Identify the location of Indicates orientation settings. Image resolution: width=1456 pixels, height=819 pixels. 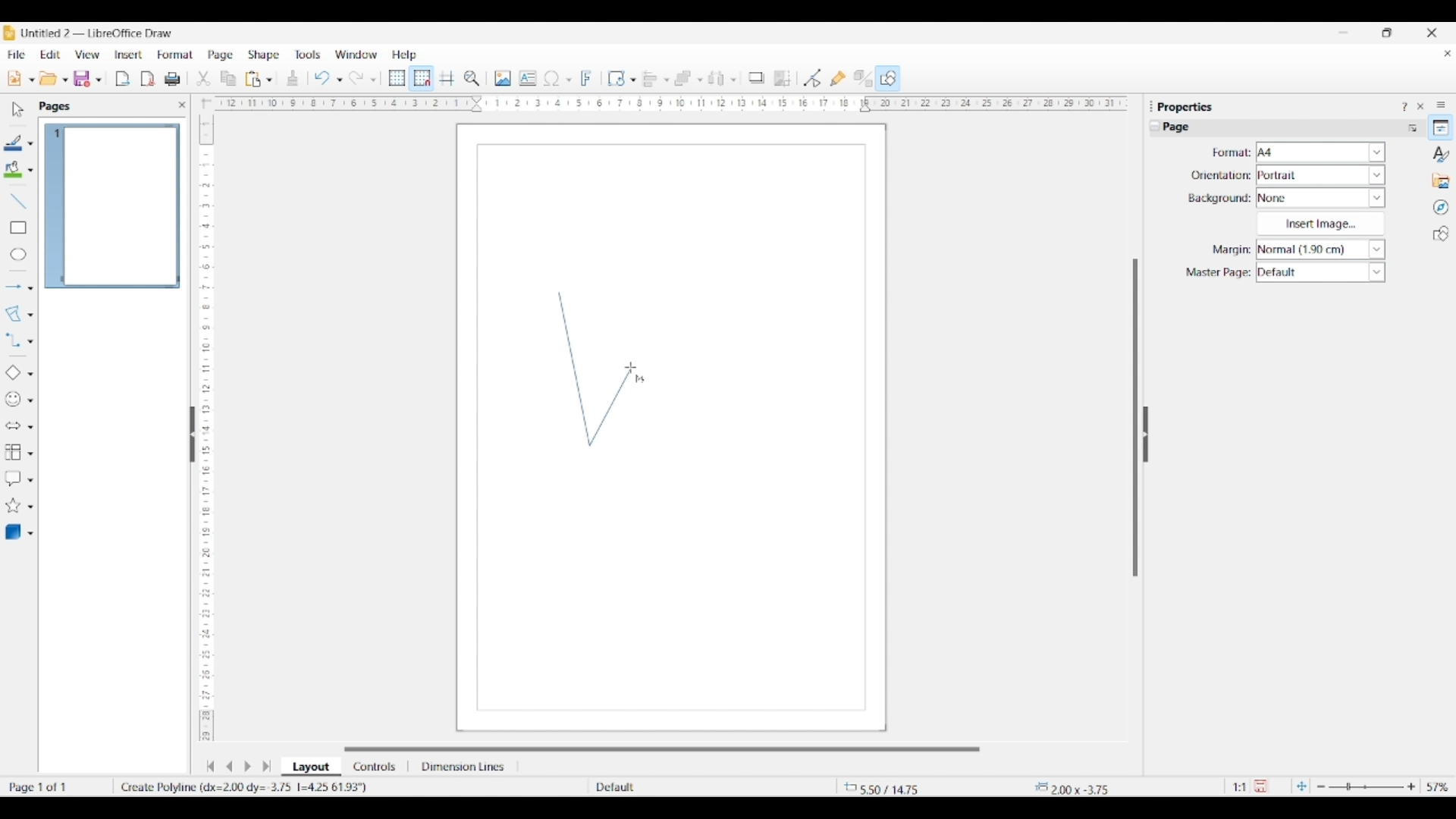
(1221, 175).